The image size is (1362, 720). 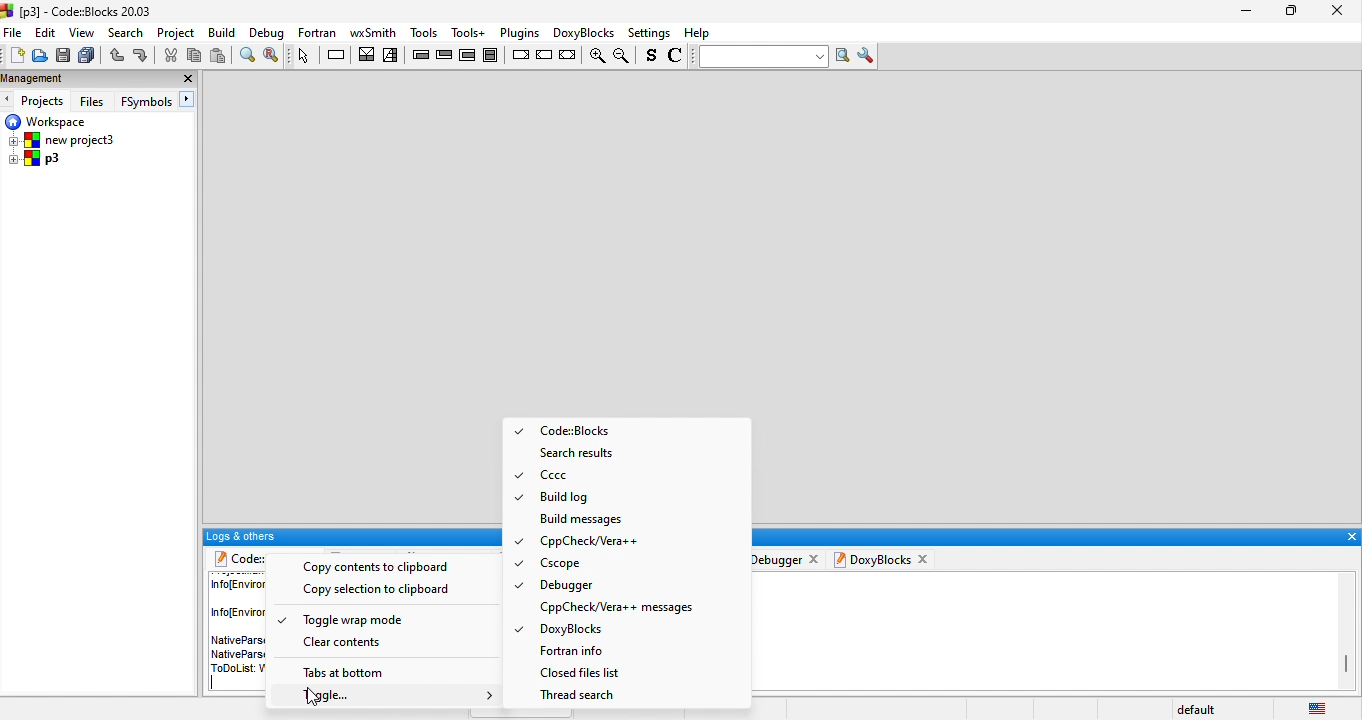 What do you see at coordinates (367, 54) in the screenshot?
I see `decision` at bounding box center [367, 54].